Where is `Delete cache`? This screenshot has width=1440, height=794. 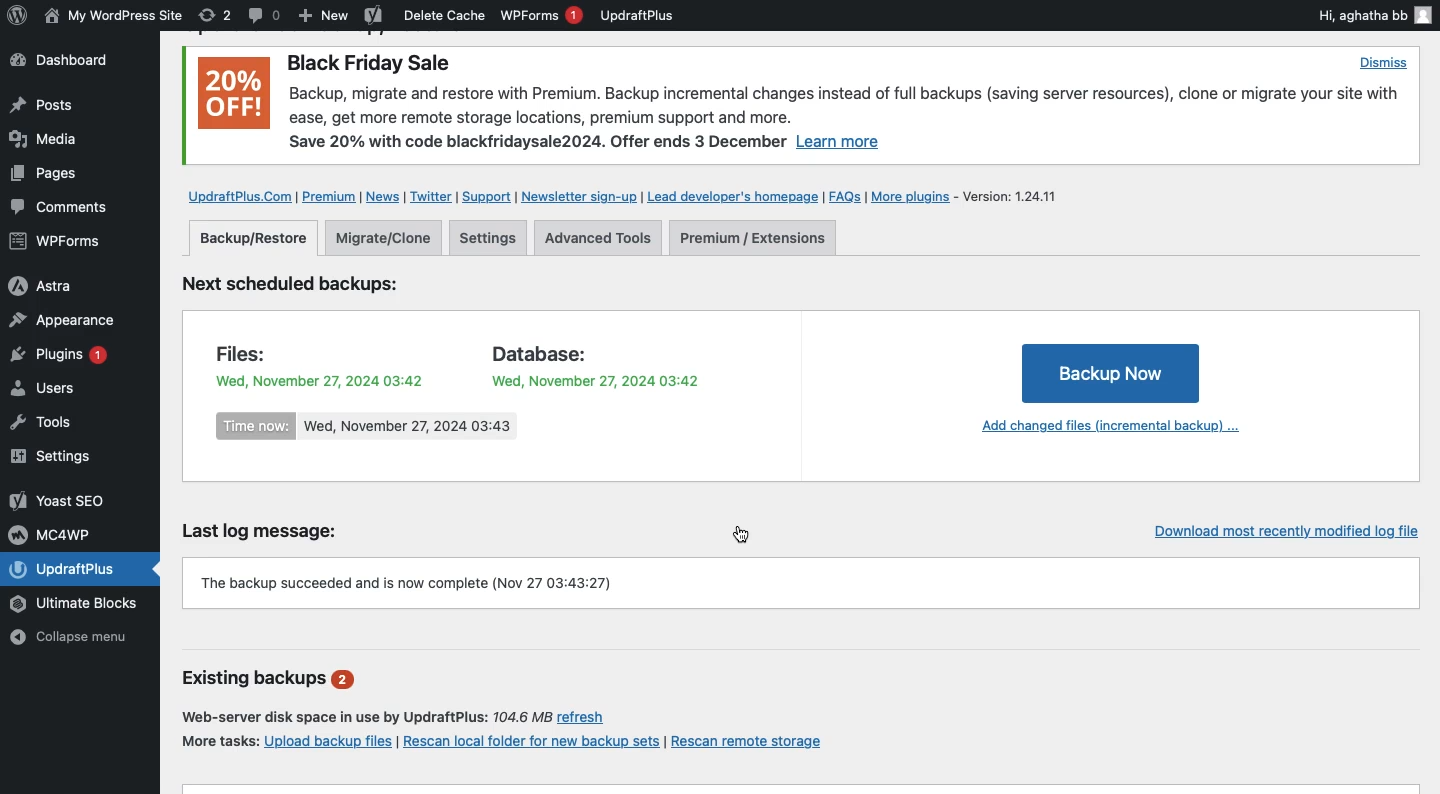
Delete cache is located at coordinates (445, 15).